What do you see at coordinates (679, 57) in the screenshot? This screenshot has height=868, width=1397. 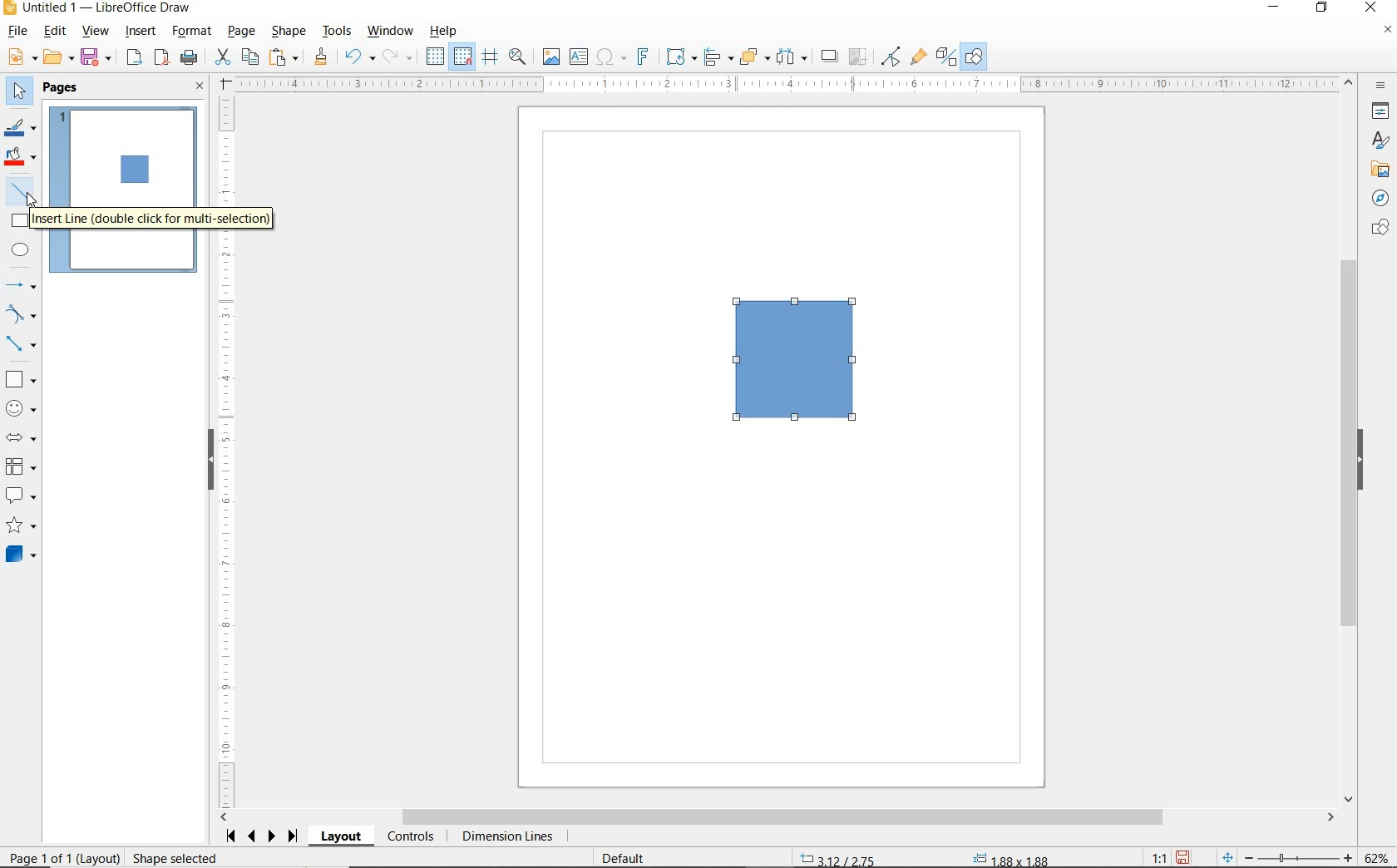 I see `TRANSFORMATIONS` at bounding box center [679, 57].